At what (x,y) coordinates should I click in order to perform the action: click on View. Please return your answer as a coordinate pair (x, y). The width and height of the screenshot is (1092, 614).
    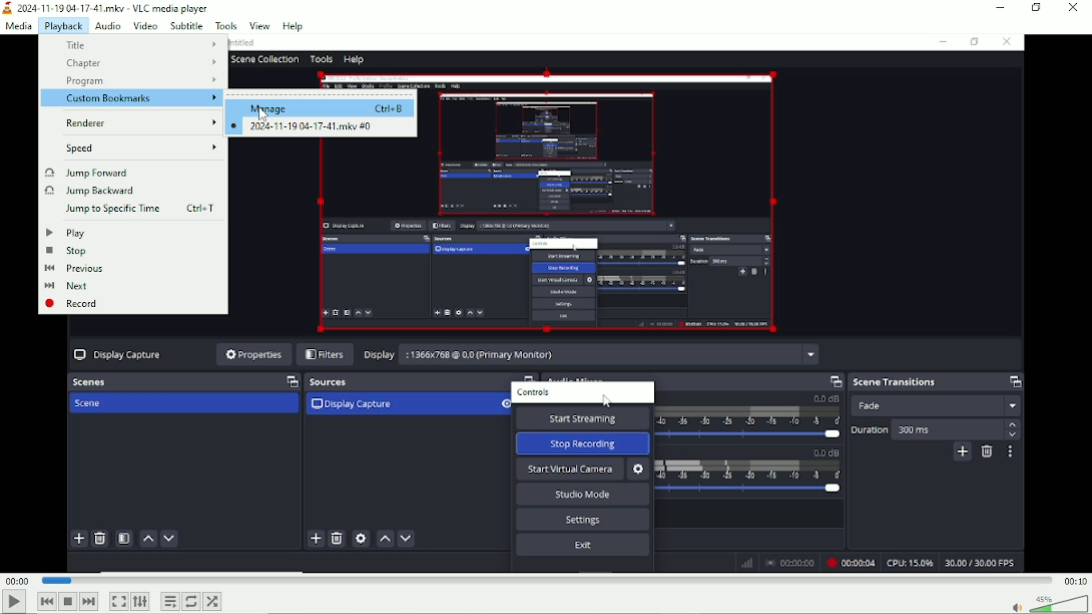
    Looking at the image, I should click on (258, 25).